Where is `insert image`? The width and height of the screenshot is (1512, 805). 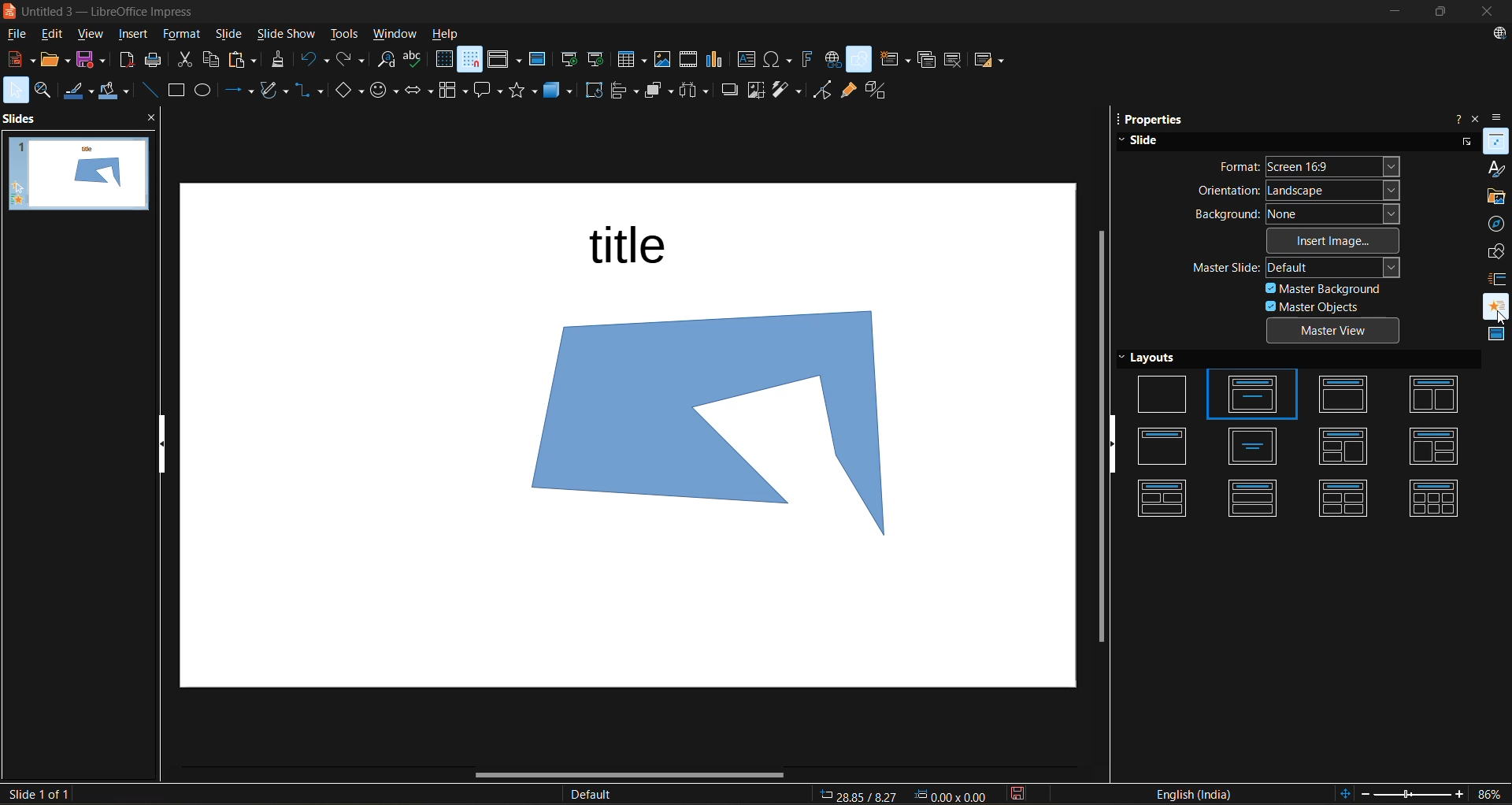 insert image is located at coordinates (1336, 240).